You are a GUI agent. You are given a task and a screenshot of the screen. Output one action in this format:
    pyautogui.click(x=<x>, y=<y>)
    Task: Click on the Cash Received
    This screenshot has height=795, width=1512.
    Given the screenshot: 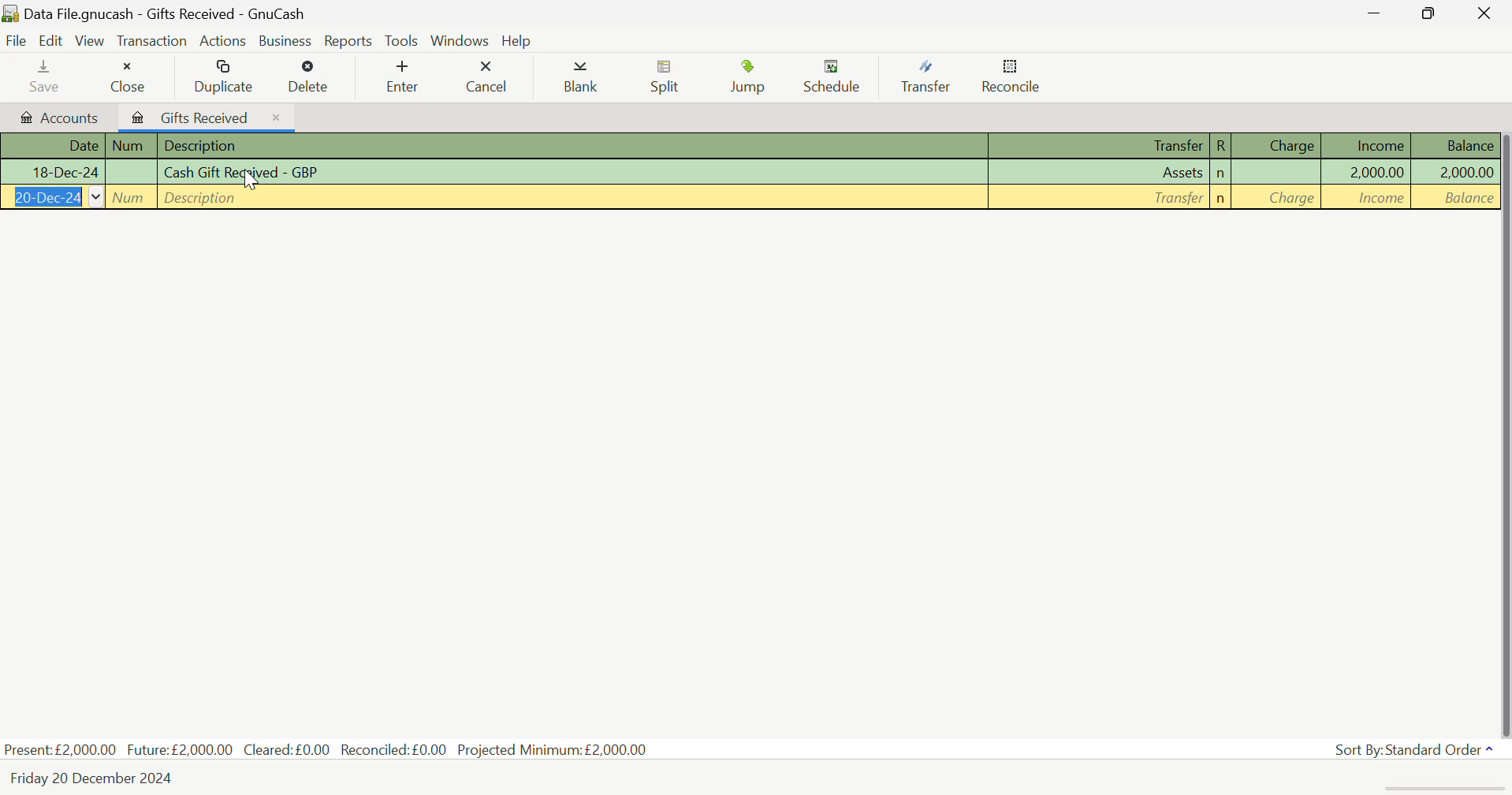 What is the action you would take?
    pyautogui.click(x=574, y=173)
    